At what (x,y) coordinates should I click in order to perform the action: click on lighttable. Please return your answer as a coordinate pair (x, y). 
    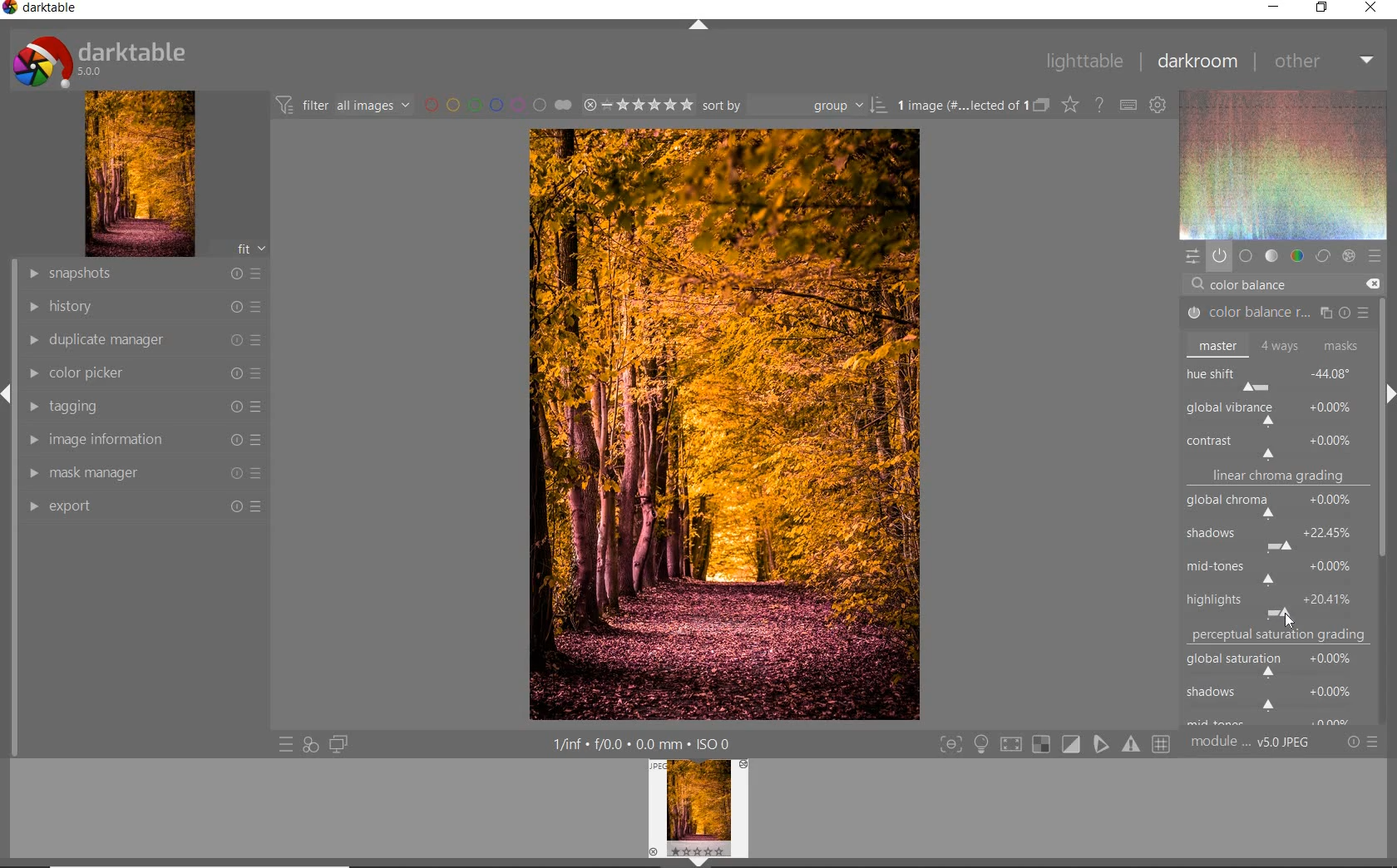
    Looking at the image, I should click on (1084, 62).